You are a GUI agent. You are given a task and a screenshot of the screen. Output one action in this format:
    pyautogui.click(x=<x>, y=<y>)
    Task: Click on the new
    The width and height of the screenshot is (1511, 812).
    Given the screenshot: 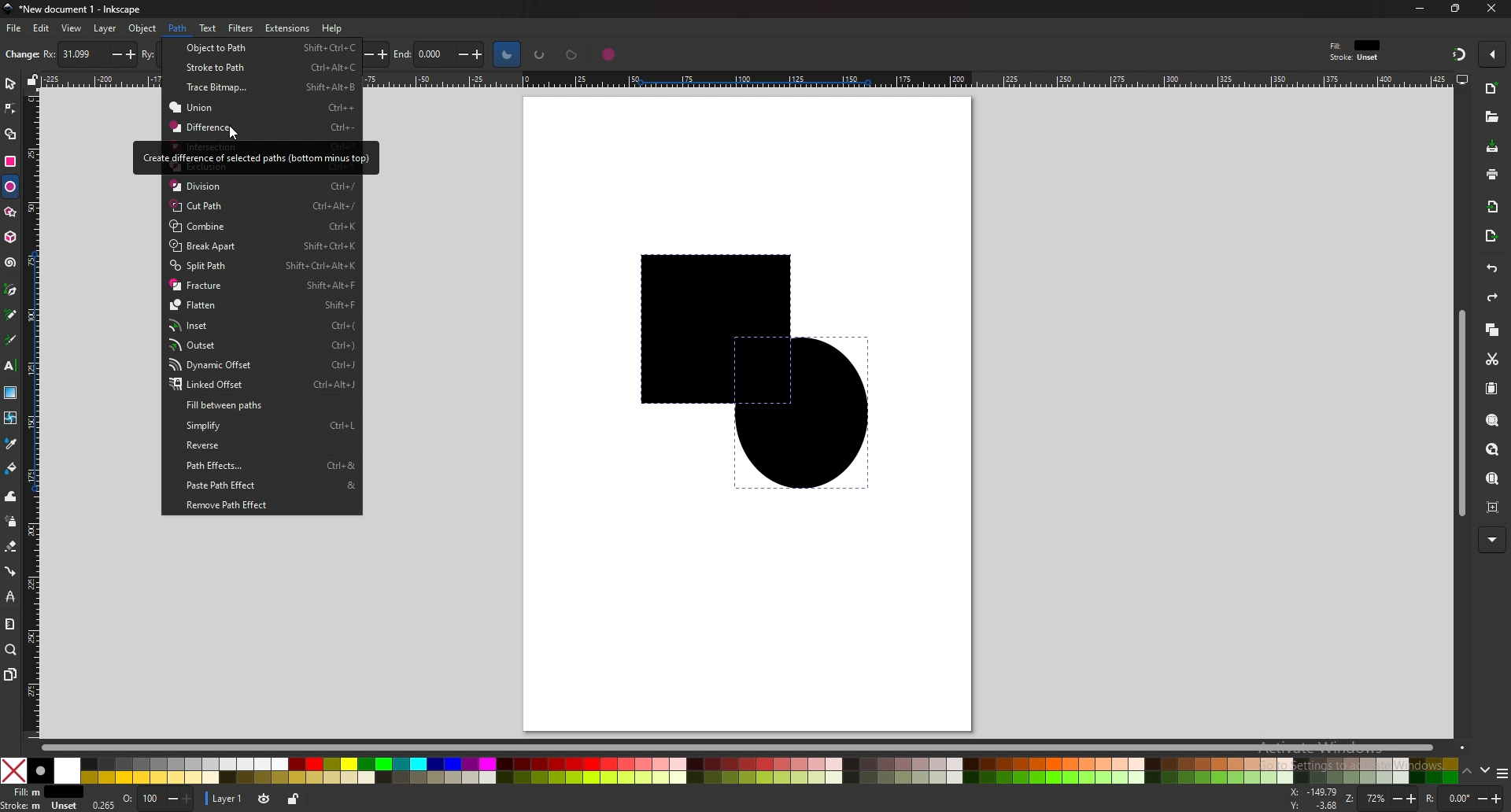 What is the action you would take?
    pyautogui.click(x=1492, y=89)
    